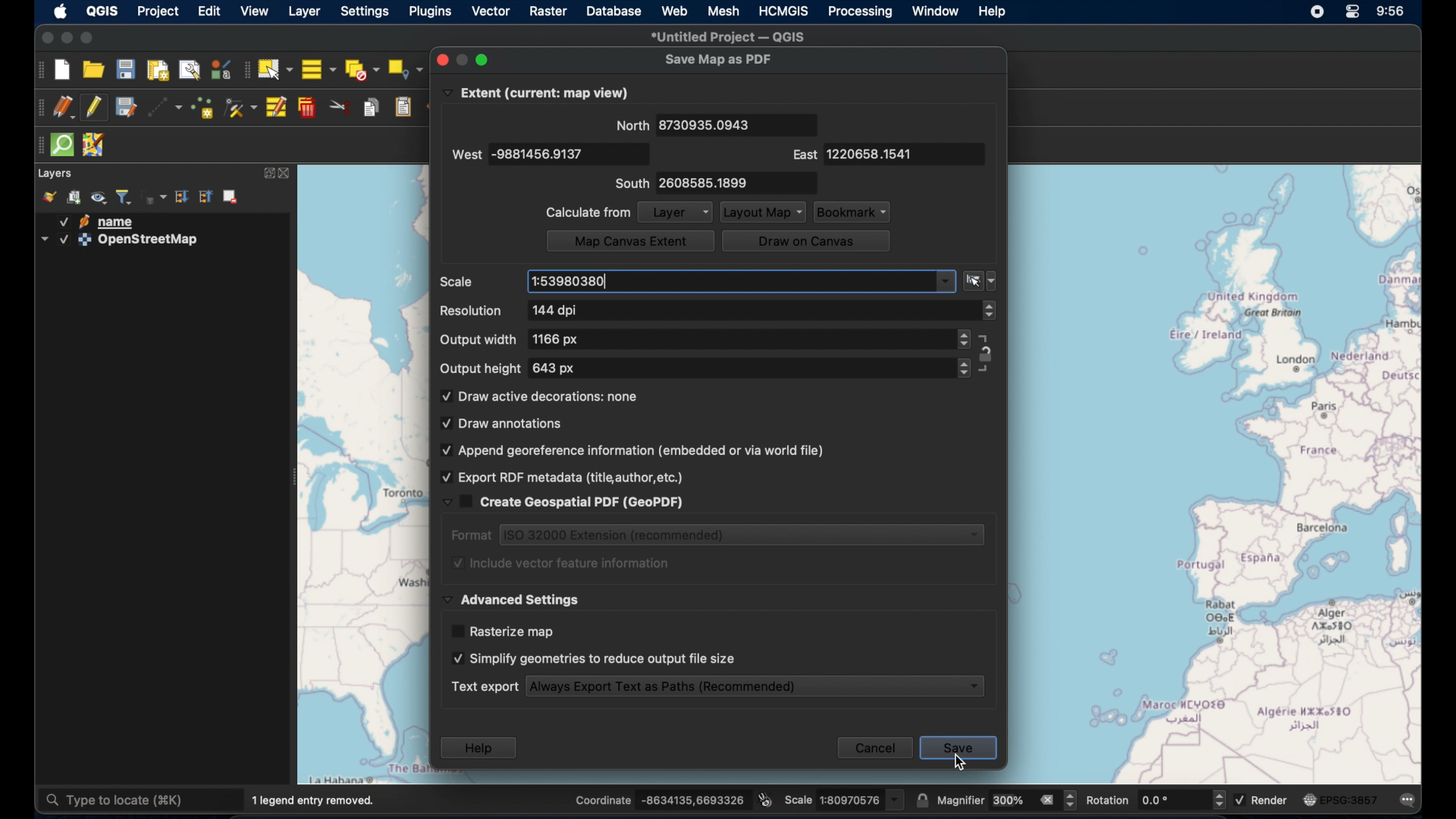 The width and height of the screenshot is (1456, 819). What do you see at coordinates (243, 69) in the screenshot?
I see `selection toolbar` at bounding box center [243, 69].